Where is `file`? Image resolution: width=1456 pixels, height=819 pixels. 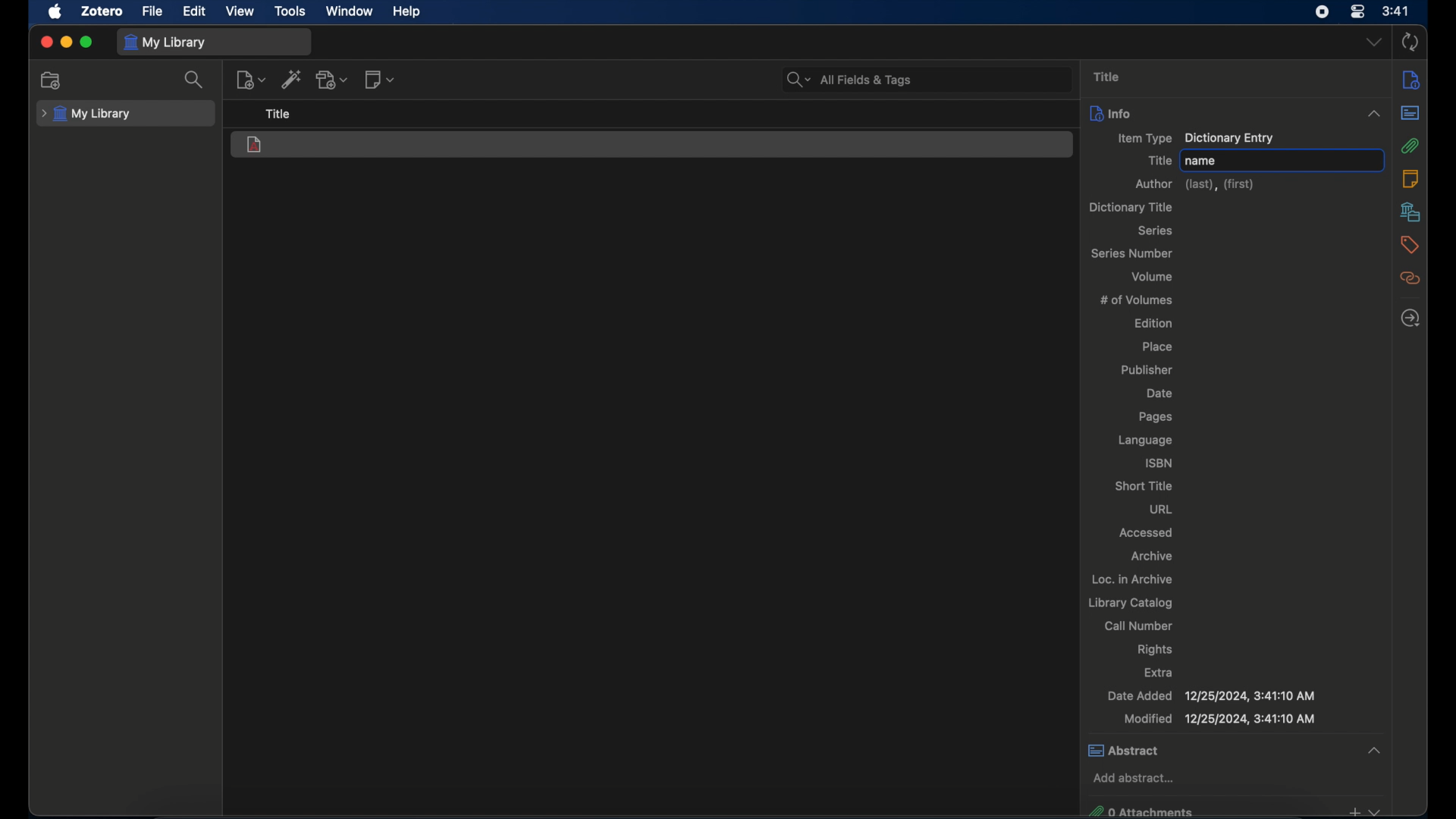 file is located at coordinates (153, 11).